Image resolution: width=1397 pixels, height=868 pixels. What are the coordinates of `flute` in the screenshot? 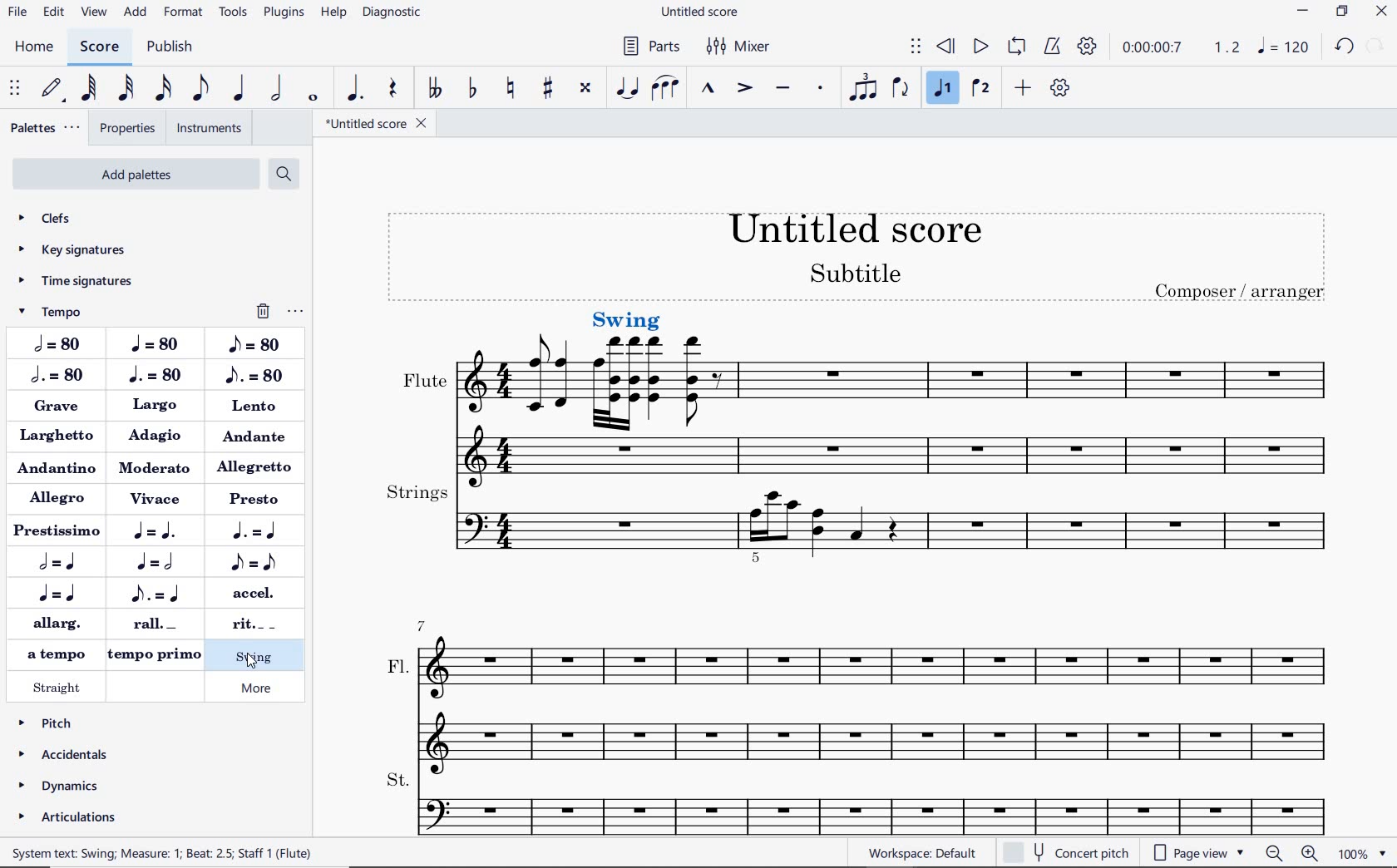 It's located at (599, 426).